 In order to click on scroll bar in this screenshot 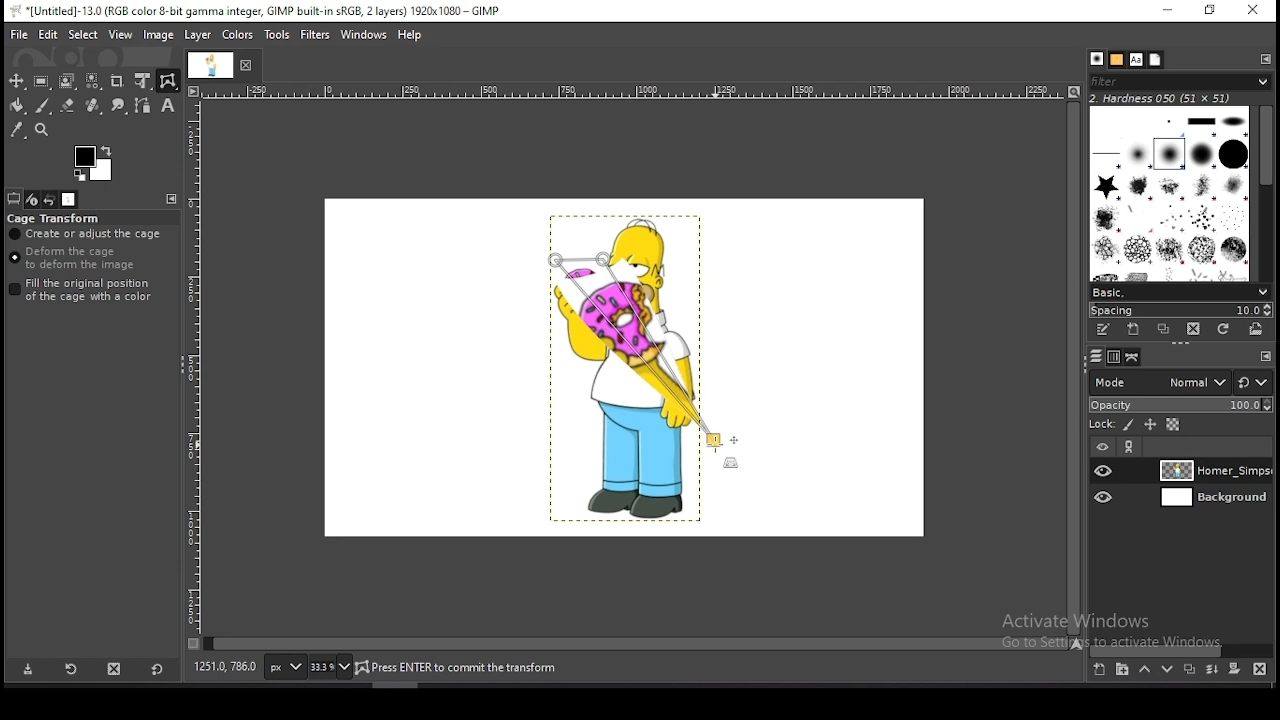, I will do `click(1072, 367)`.